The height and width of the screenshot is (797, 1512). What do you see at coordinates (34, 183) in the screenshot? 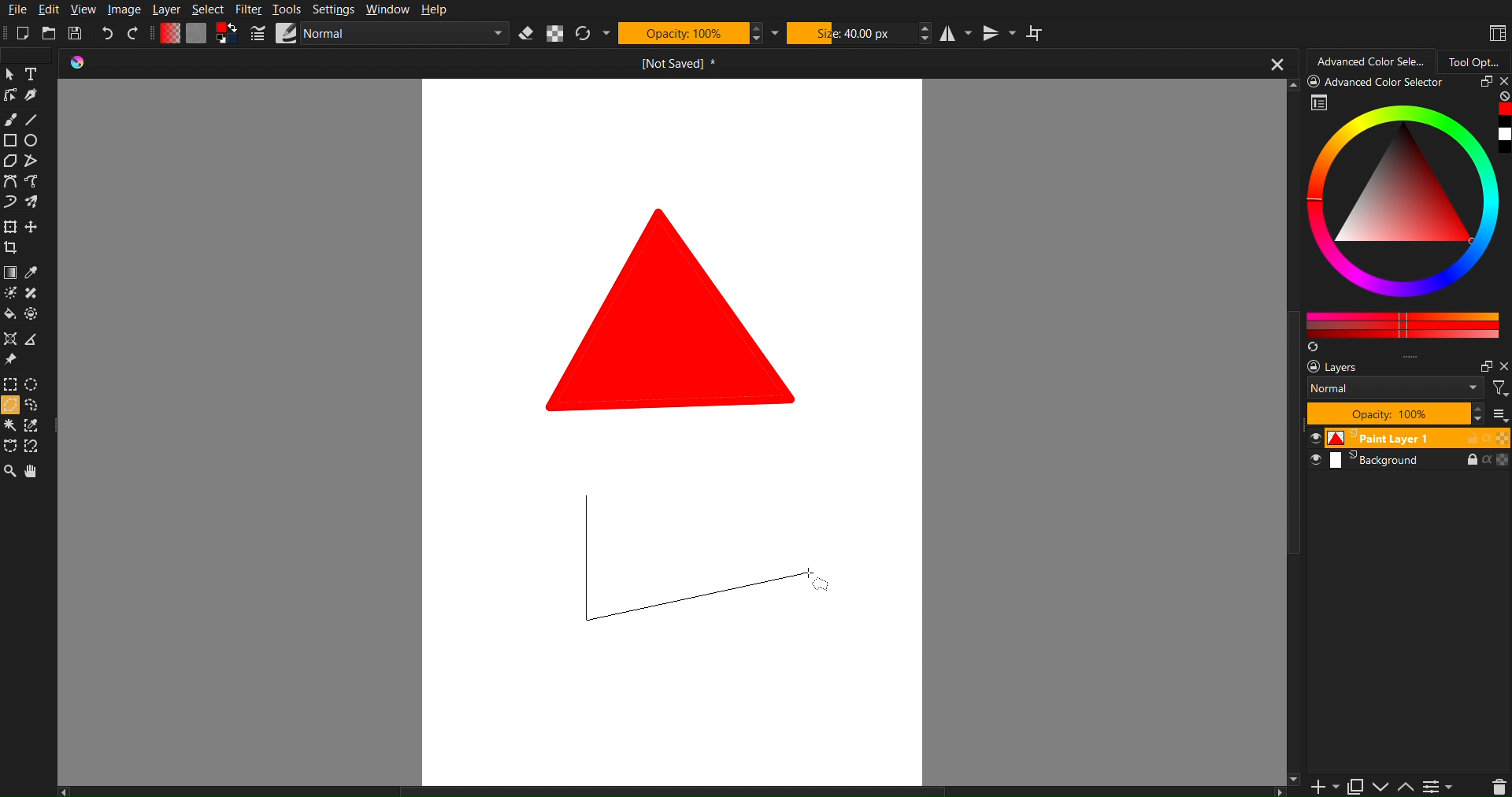
I see `Free shape` at bounding box center [34, 183].